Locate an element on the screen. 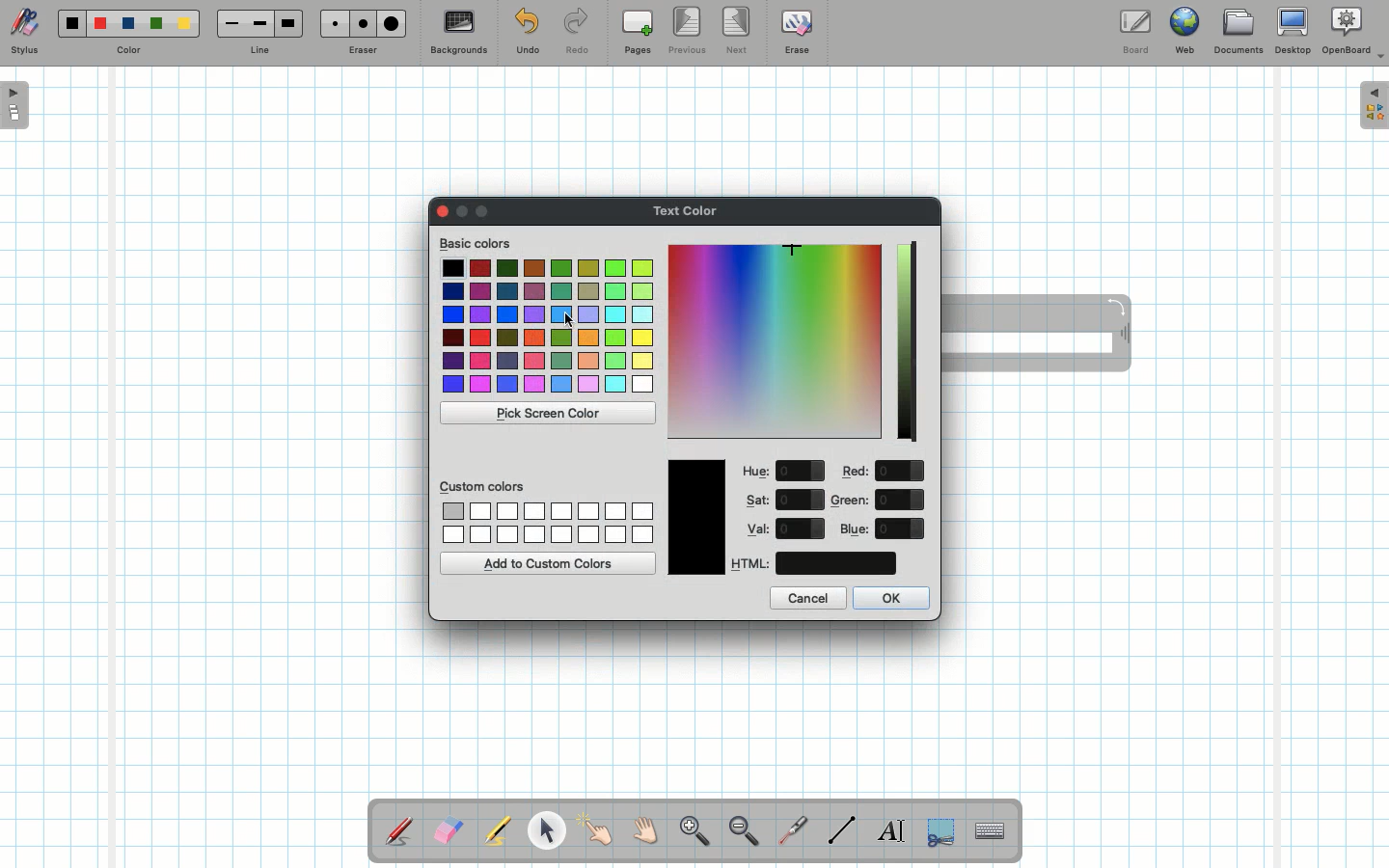  Eraser is located at coordinates (448, 832).